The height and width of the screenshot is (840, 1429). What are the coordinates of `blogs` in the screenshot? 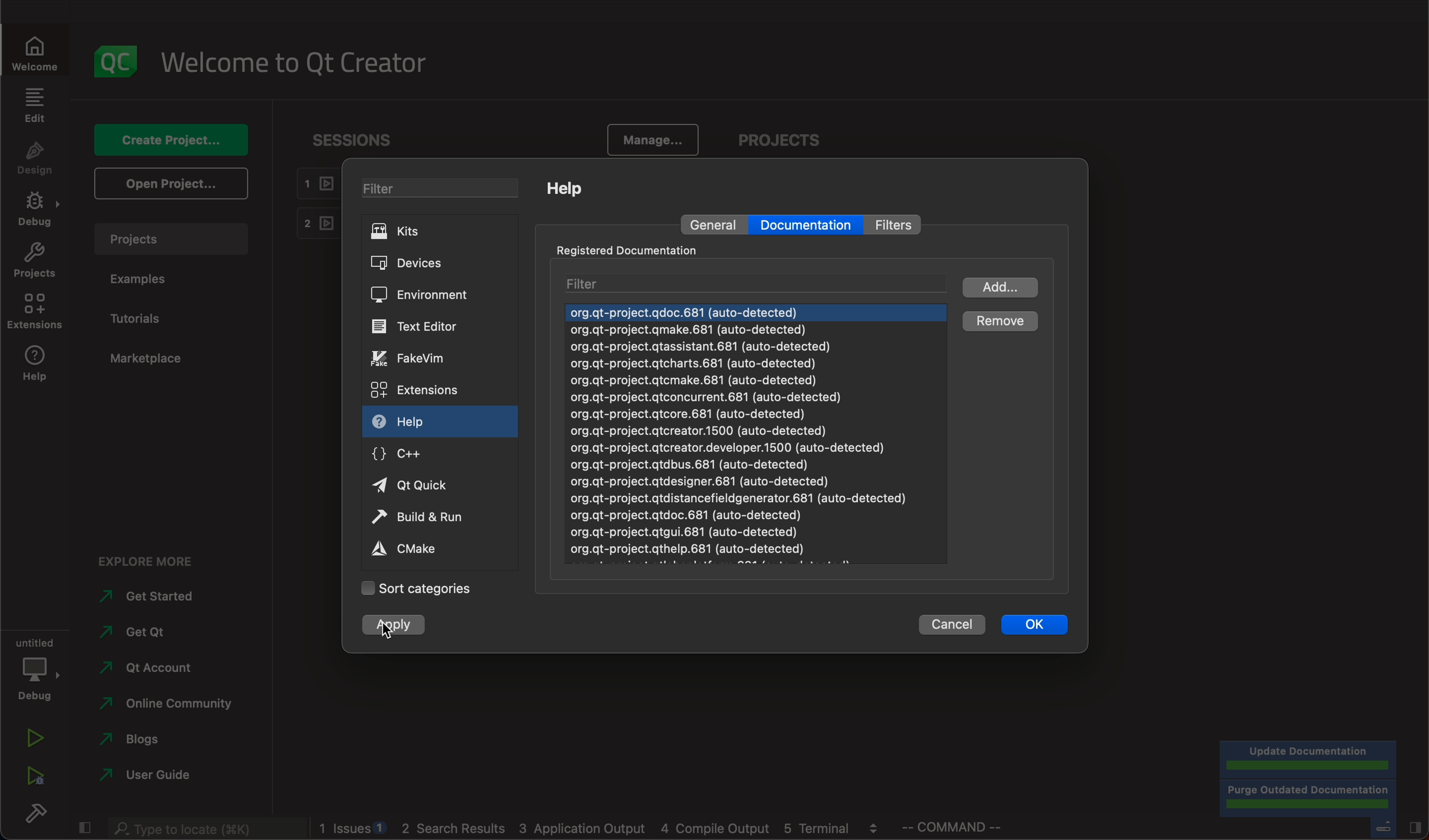 It's located at (147, 742).